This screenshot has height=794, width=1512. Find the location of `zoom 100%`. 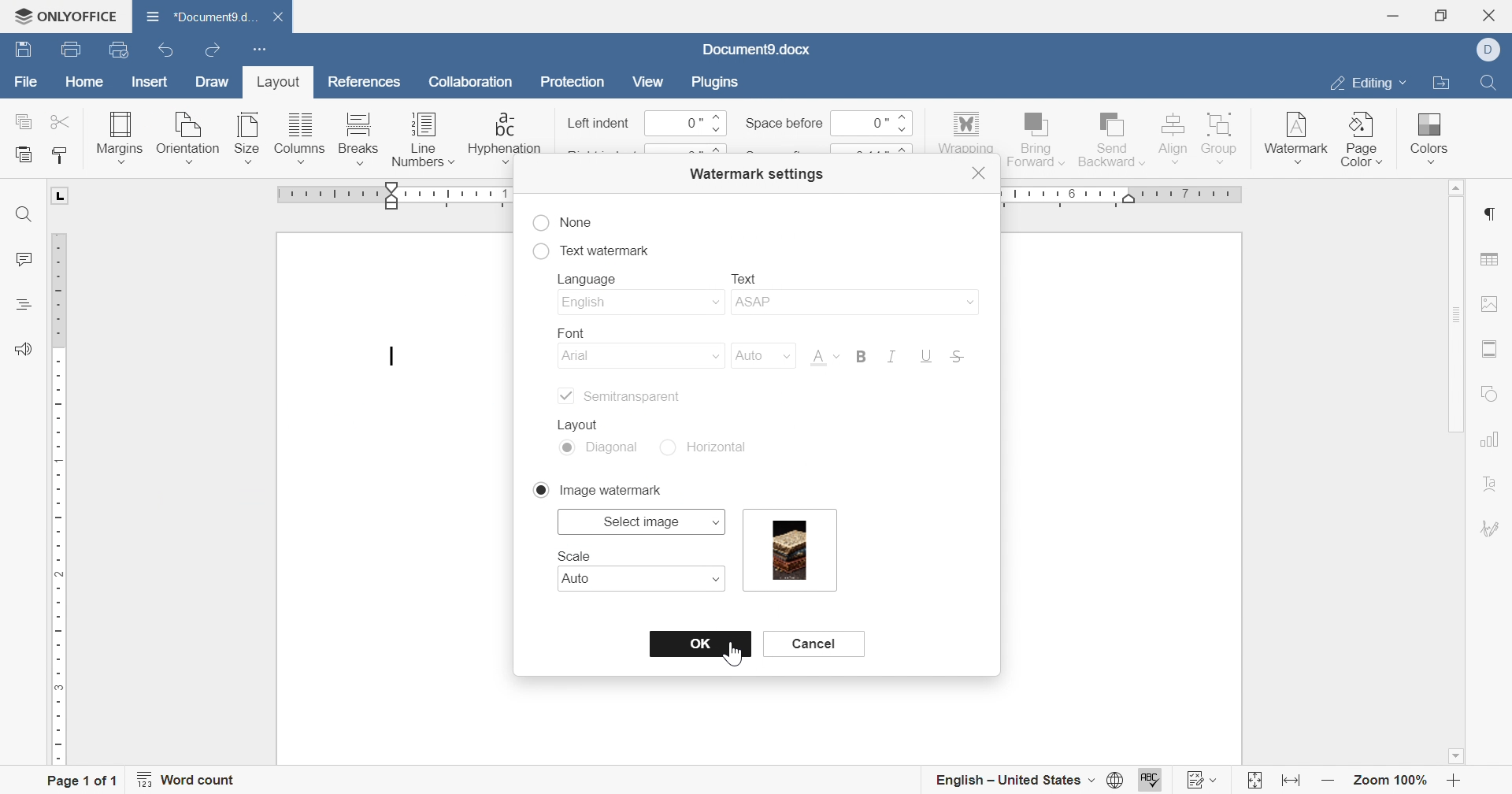

zoom 100% is located at coordinates (1392, 783).